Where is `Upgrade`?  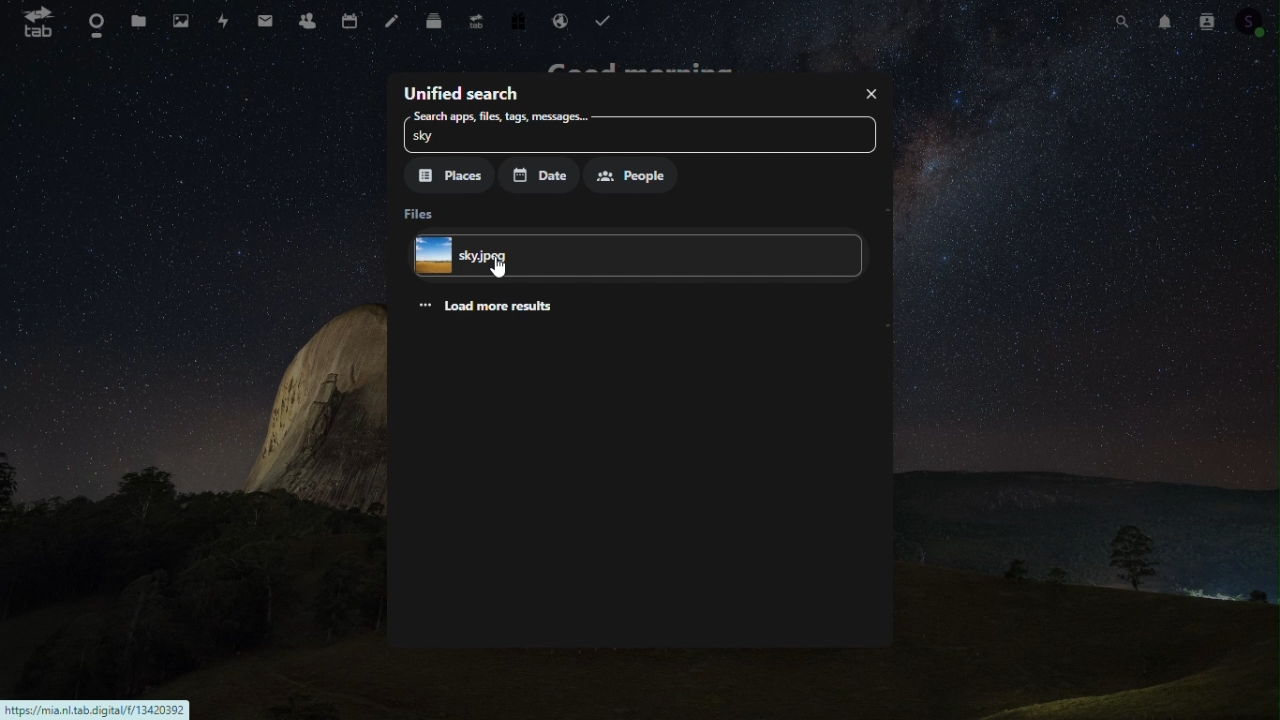
Upgrade is located at coordinates (474, 15).